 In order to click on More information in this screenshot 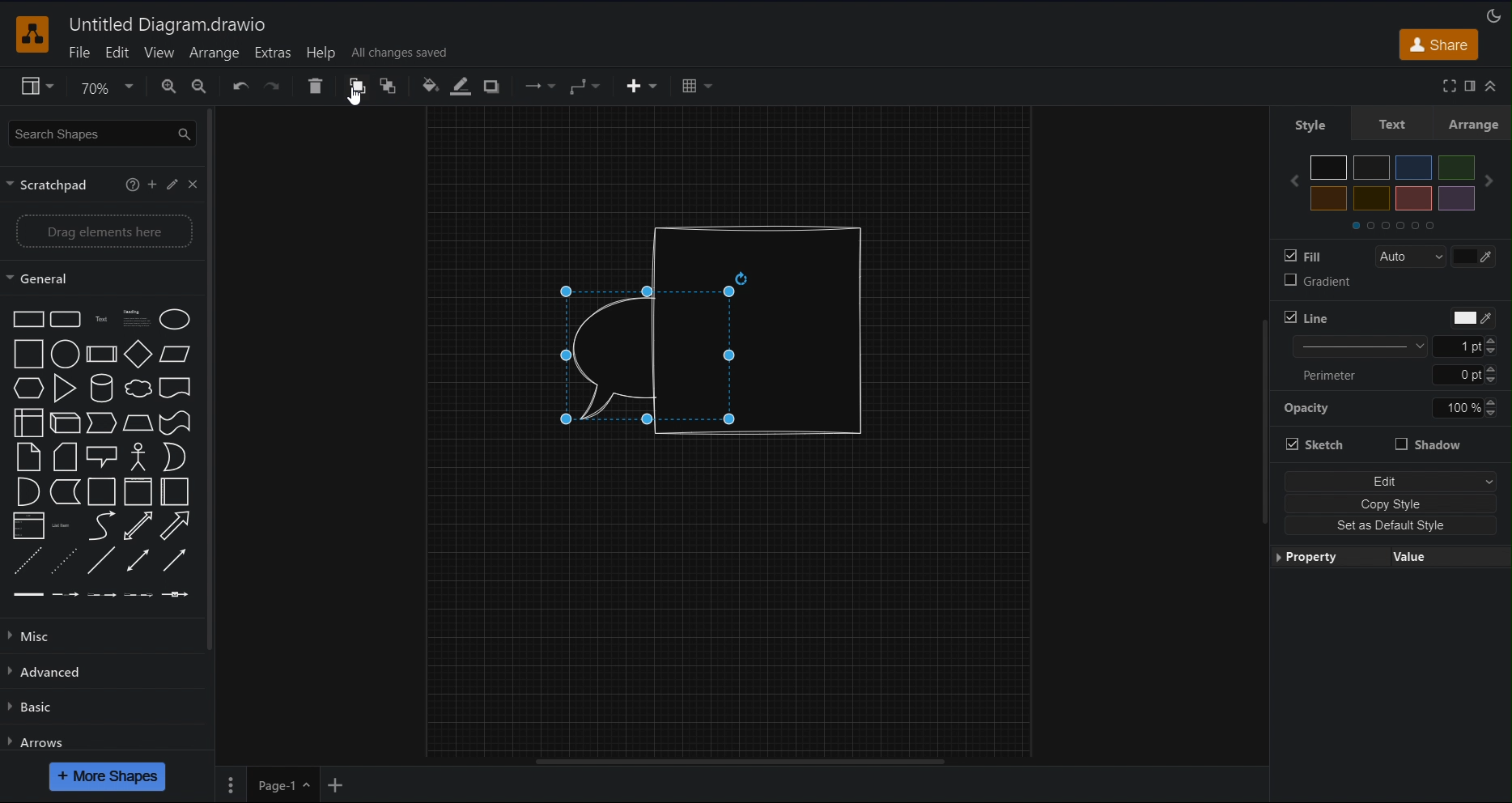, I will do `click(133, 185)`.